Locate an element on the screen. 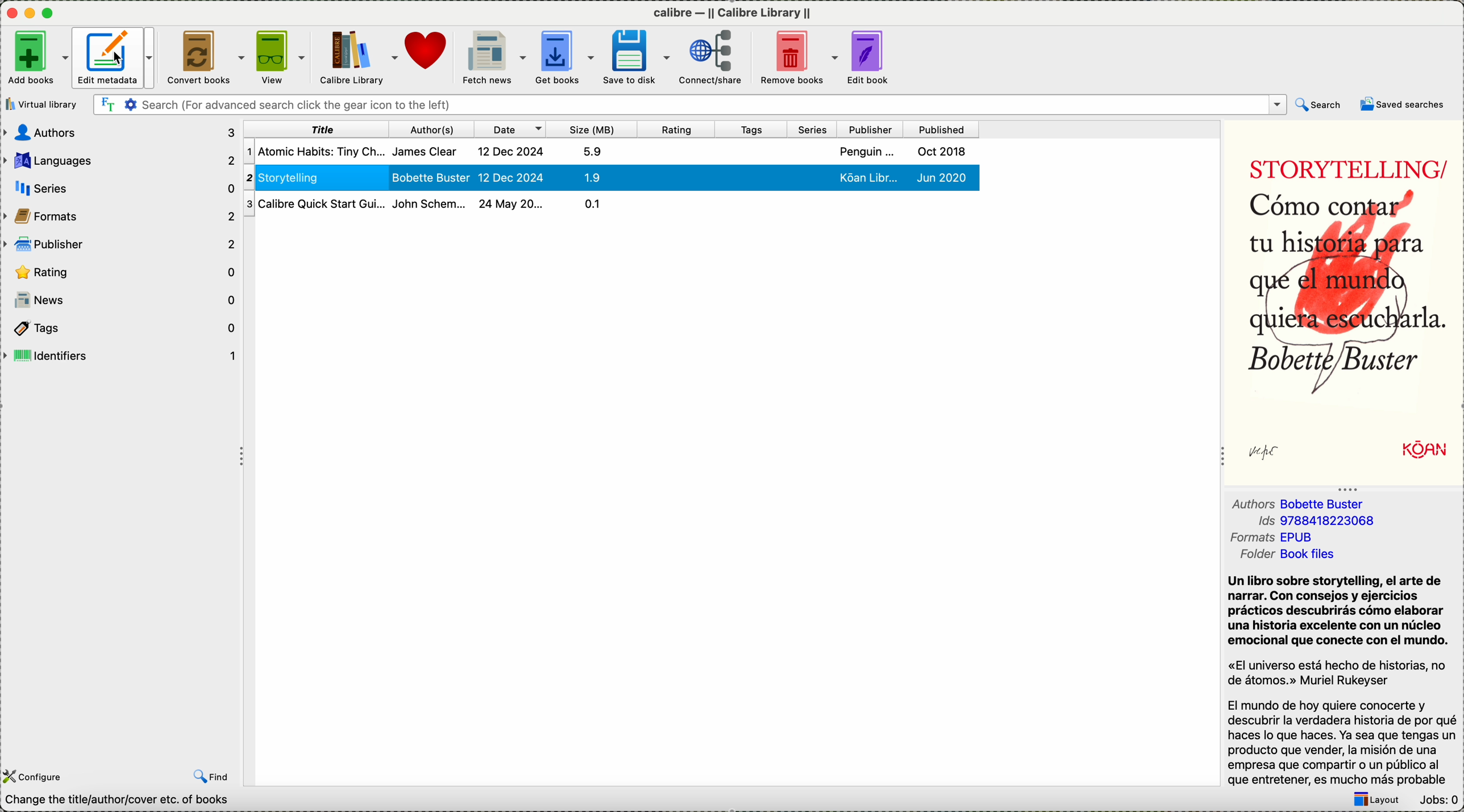 This screenshot has width=1464, height=812. calibre library is located at coordinates (354, 57).